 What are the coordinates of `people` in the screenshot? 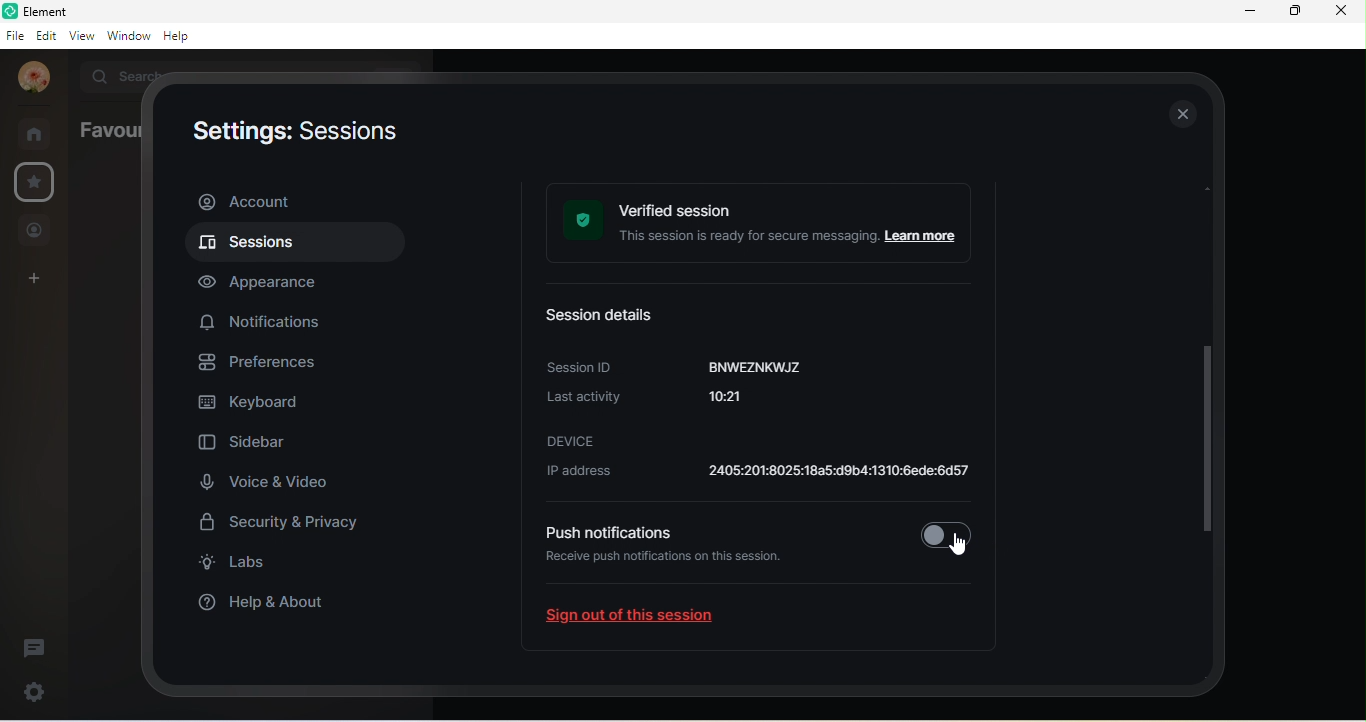 It's located at (35, 232).